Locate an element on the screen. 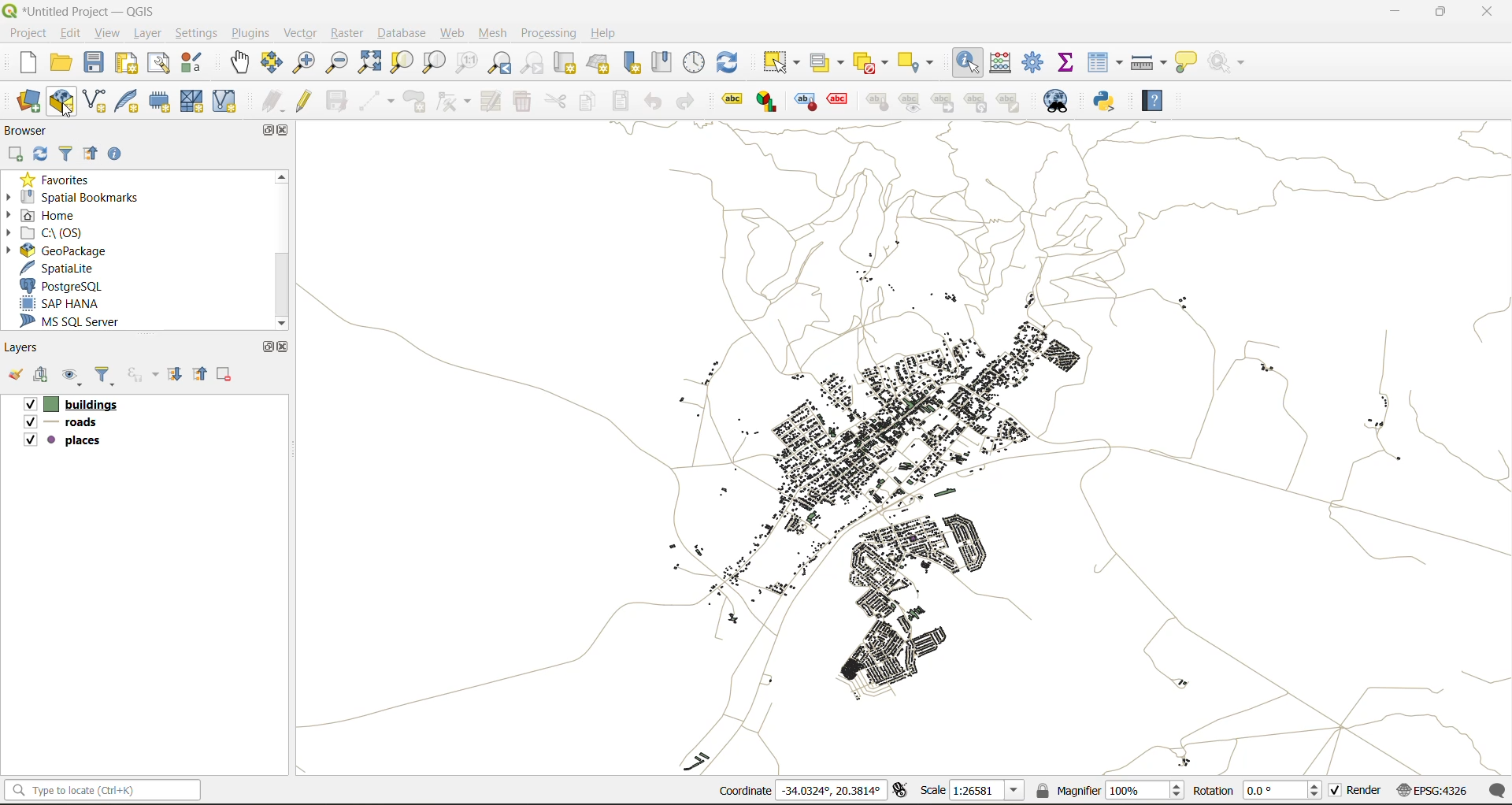 This screenshot has width=1512, height=805. cursor is located at coordinates (66, 108).